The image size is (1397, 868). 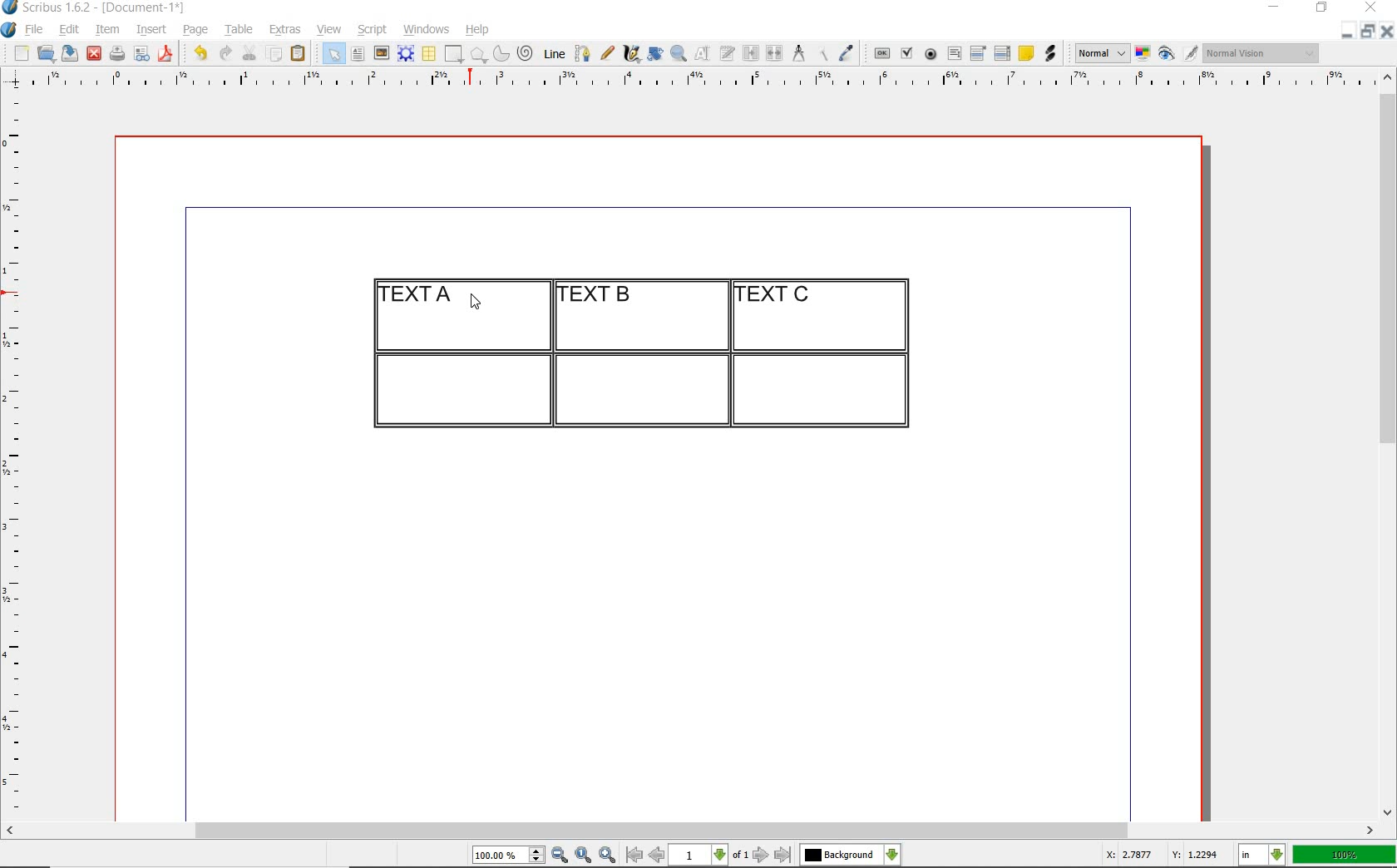 What do you see at coordinates (10, 30) in the screenshot?
I see `system logo` at bounding box center [10, 30].